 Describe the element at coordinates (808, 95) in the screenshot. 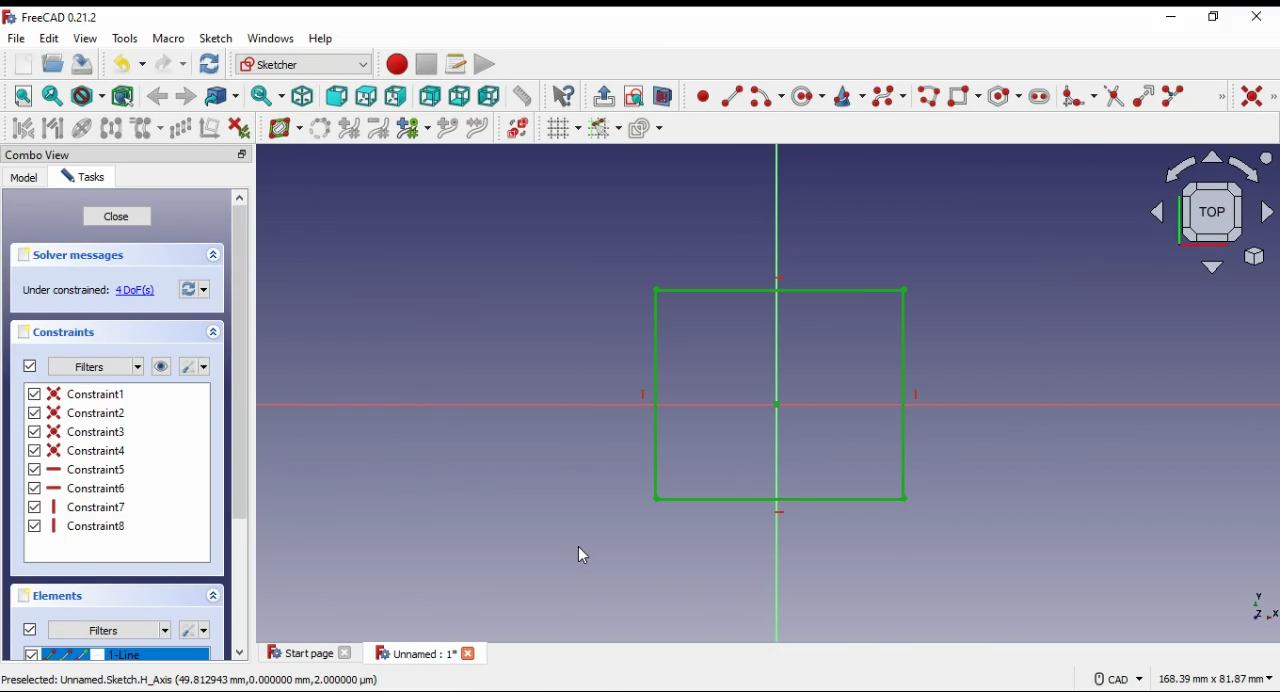

I see `create circle` at that location.